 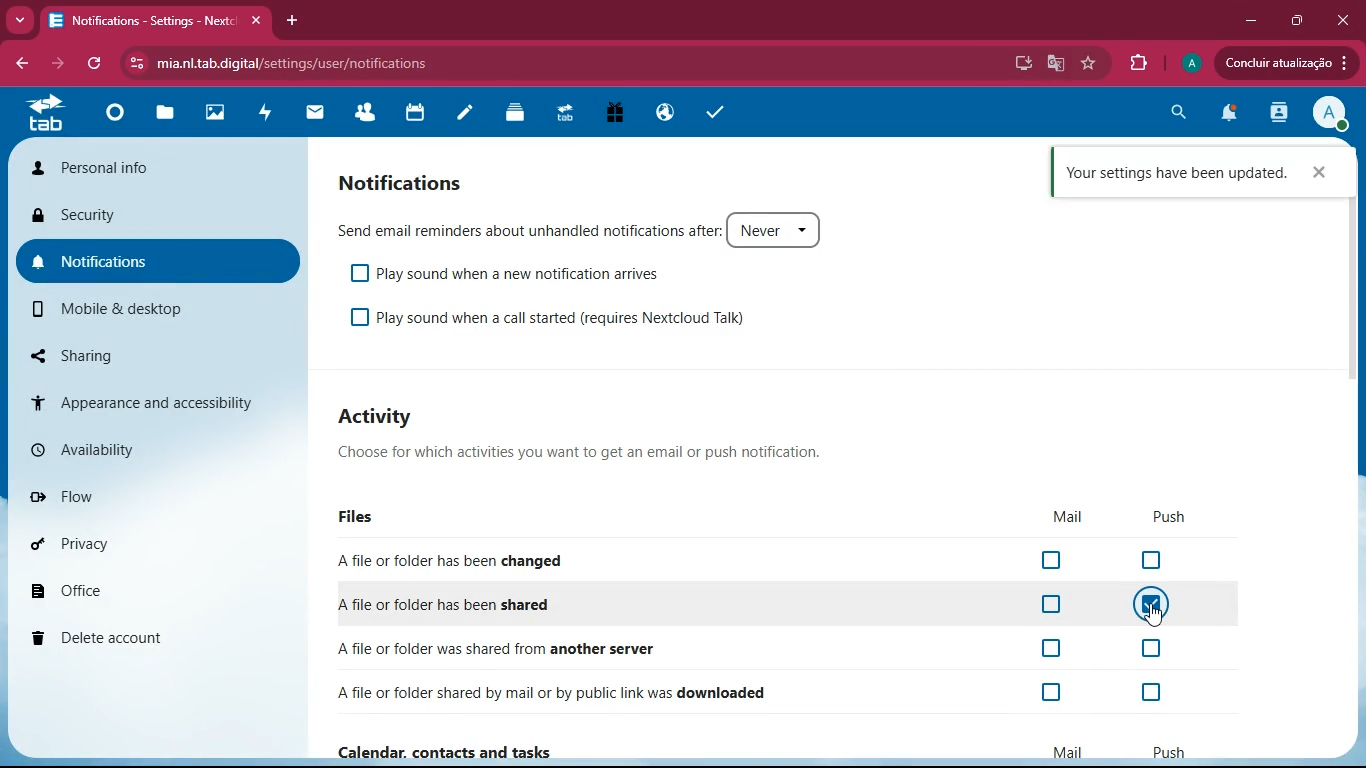 What do you see at coordinates (160, 214) in the screenshot?
I see `security` at bounding box center [160, 214].